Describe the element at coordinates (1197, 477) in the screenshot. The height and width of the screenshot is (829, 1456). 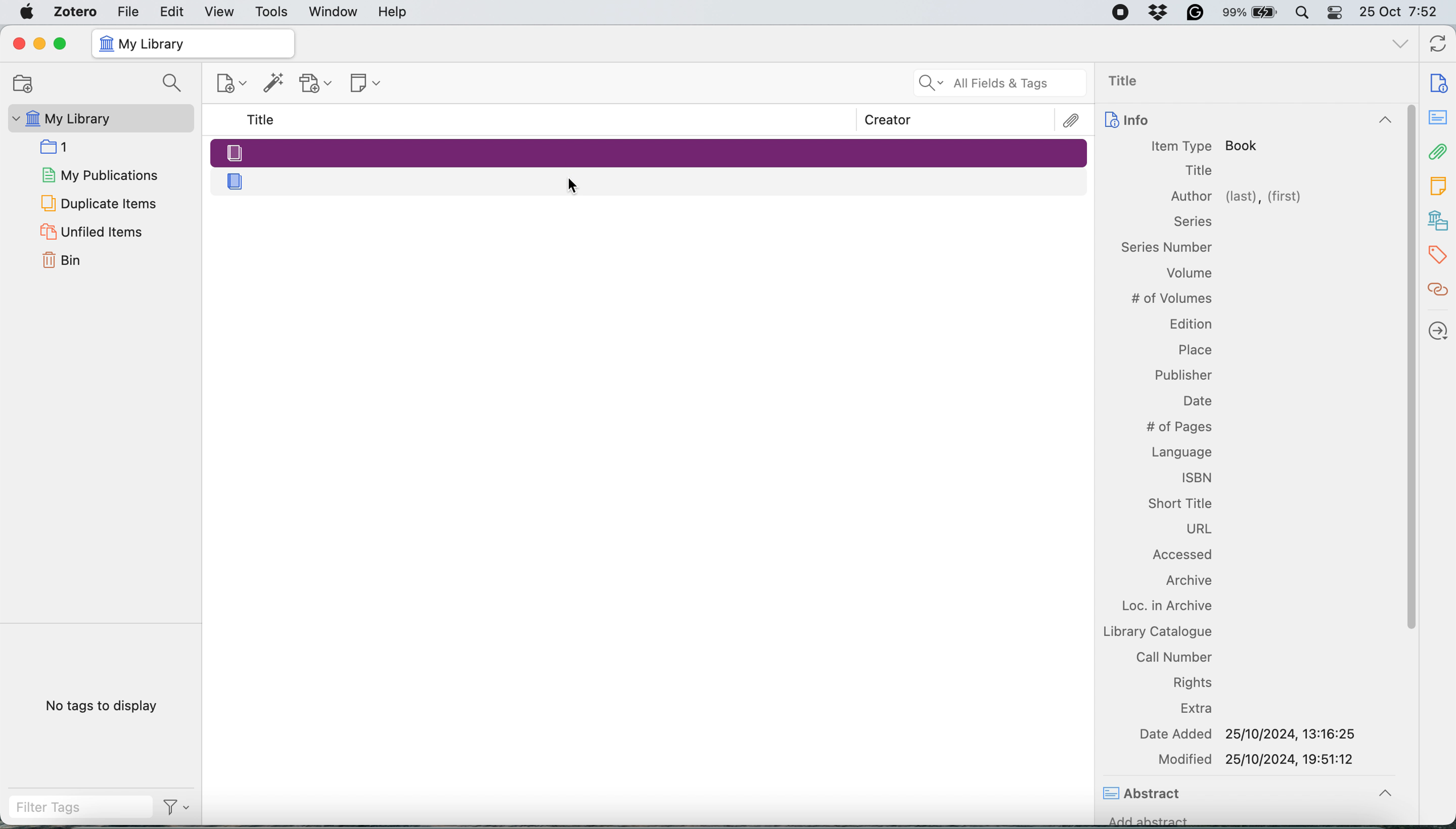
I see `ISBN` at that location.